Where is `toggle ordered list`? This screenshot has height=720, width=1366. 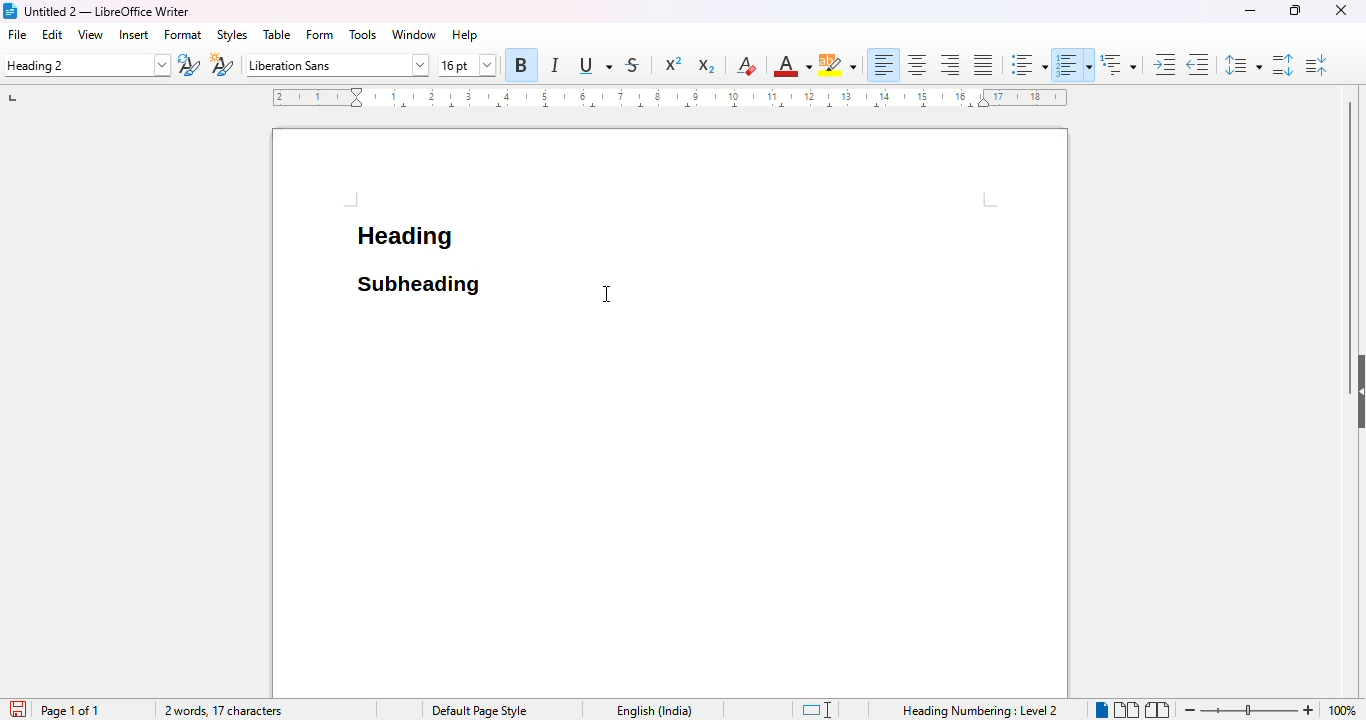 toggle ordered list is located at coordinates (1074, 65).